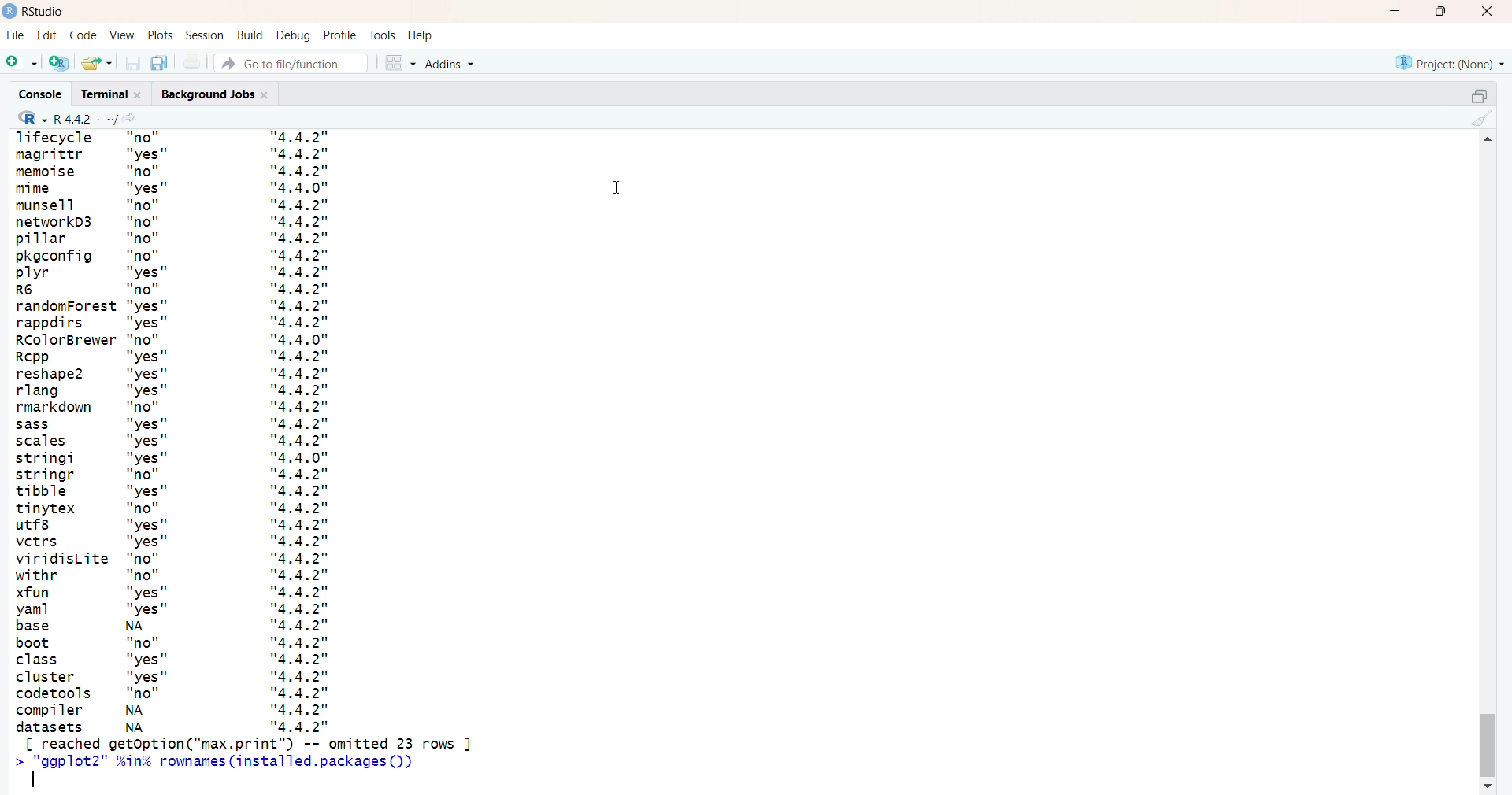  What do you see at coordinates (421, 35) in the screenshot?
I see `help` at bounding box center [421, 35].